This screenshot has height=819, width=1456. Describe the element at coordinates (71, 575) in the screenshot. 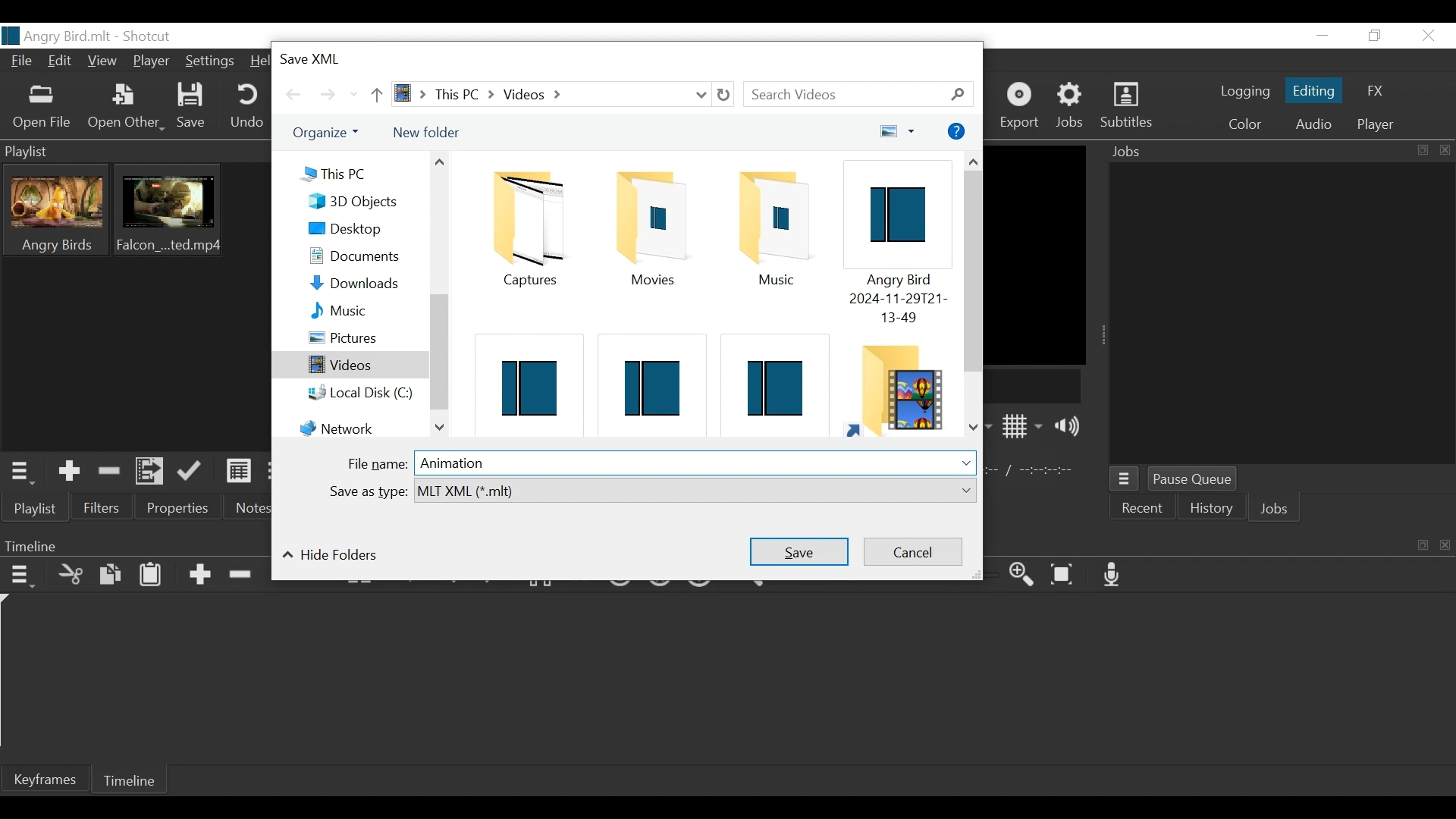

I see `Cut` at that location.